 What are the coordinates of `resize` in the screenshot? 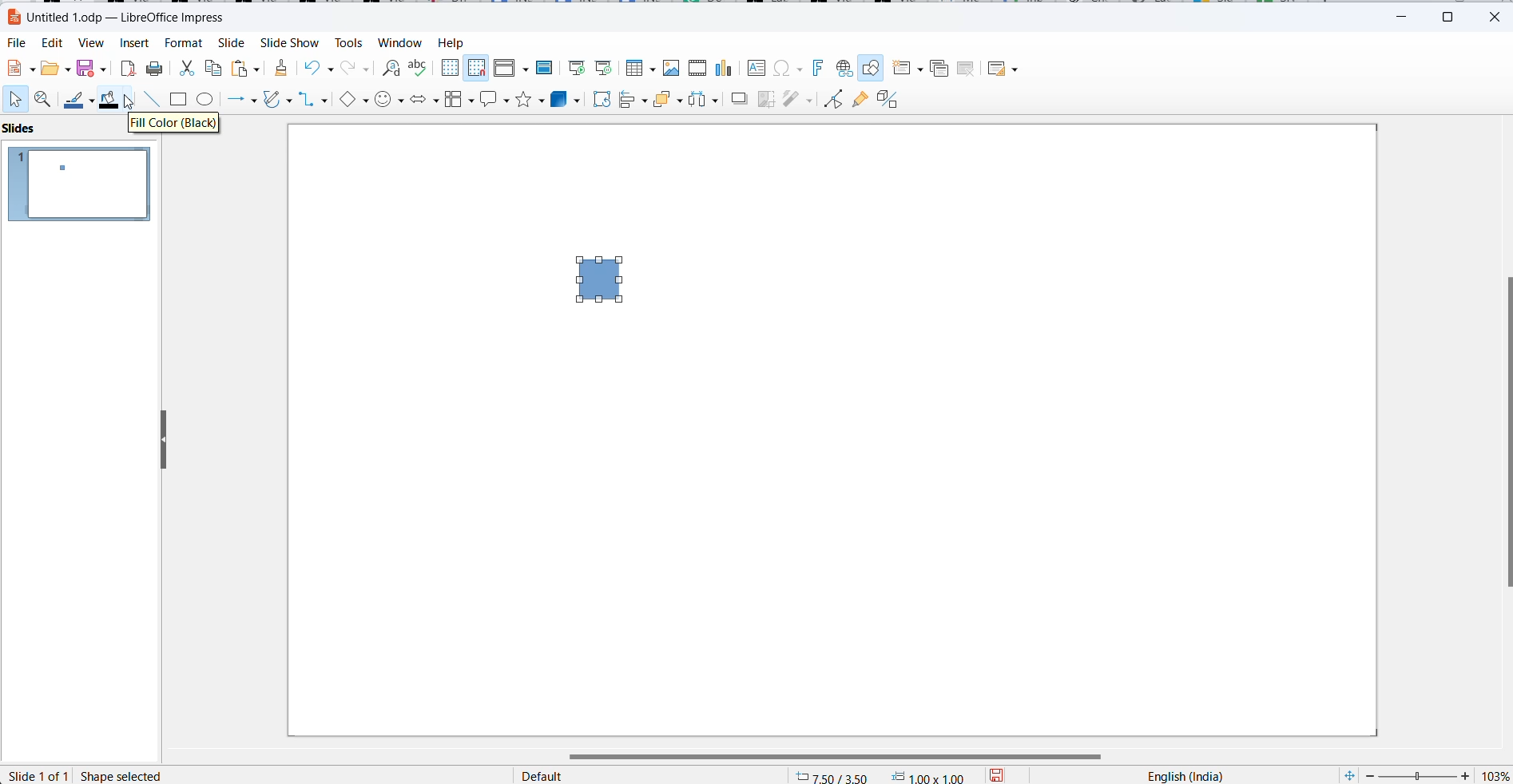 It's located at (157, 438).